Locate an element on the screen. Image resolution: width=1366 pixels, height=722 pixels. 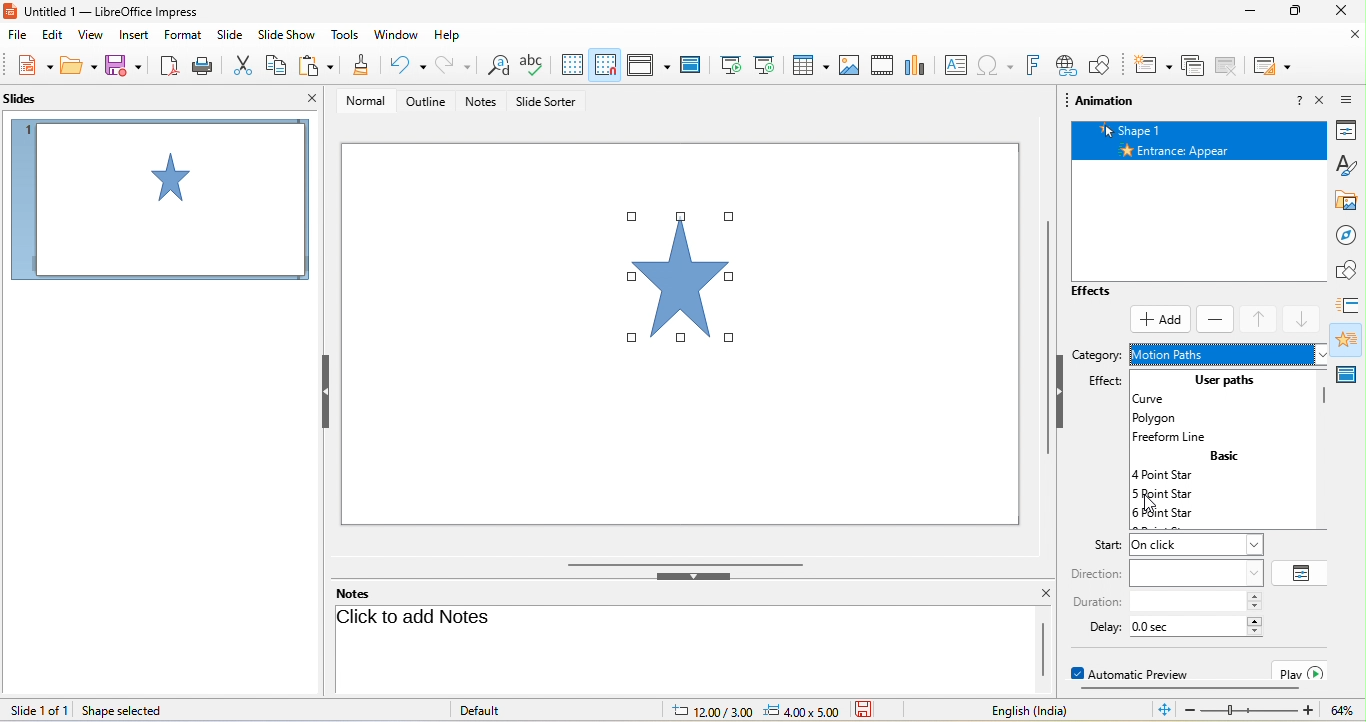
clone formatting is located at coordinates (360, 64).